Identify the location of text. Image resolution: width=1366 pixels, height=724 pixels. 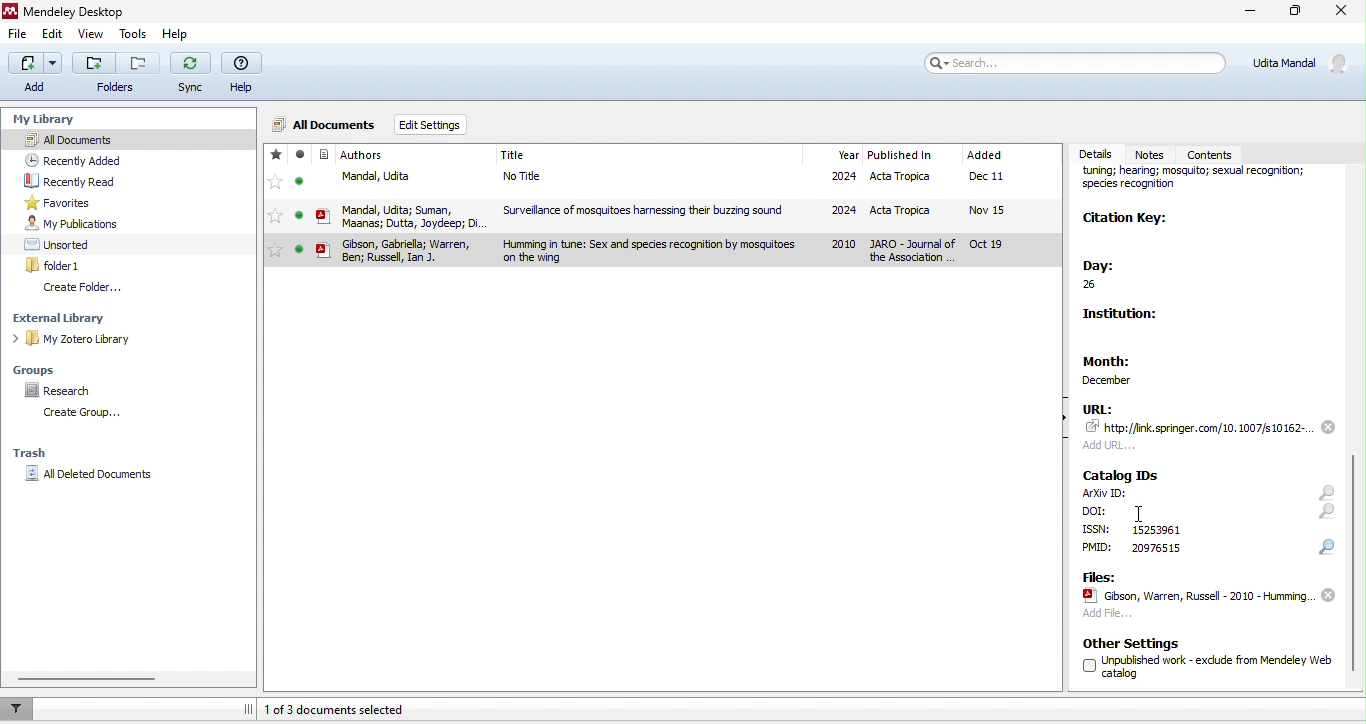
(1218, 665).